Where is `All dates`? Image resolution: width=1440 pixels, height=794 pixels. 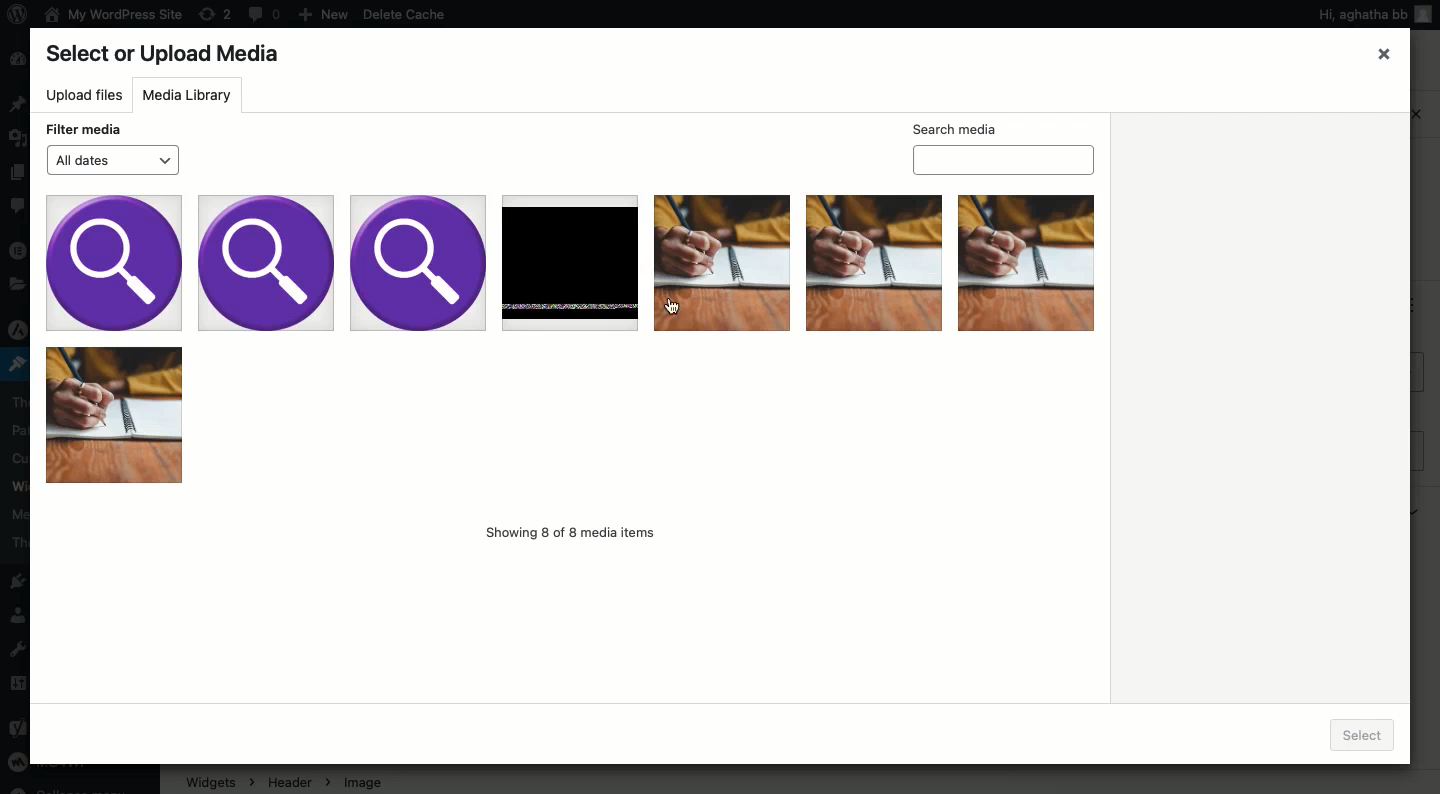
All dates is located at coordinates (112, 160).